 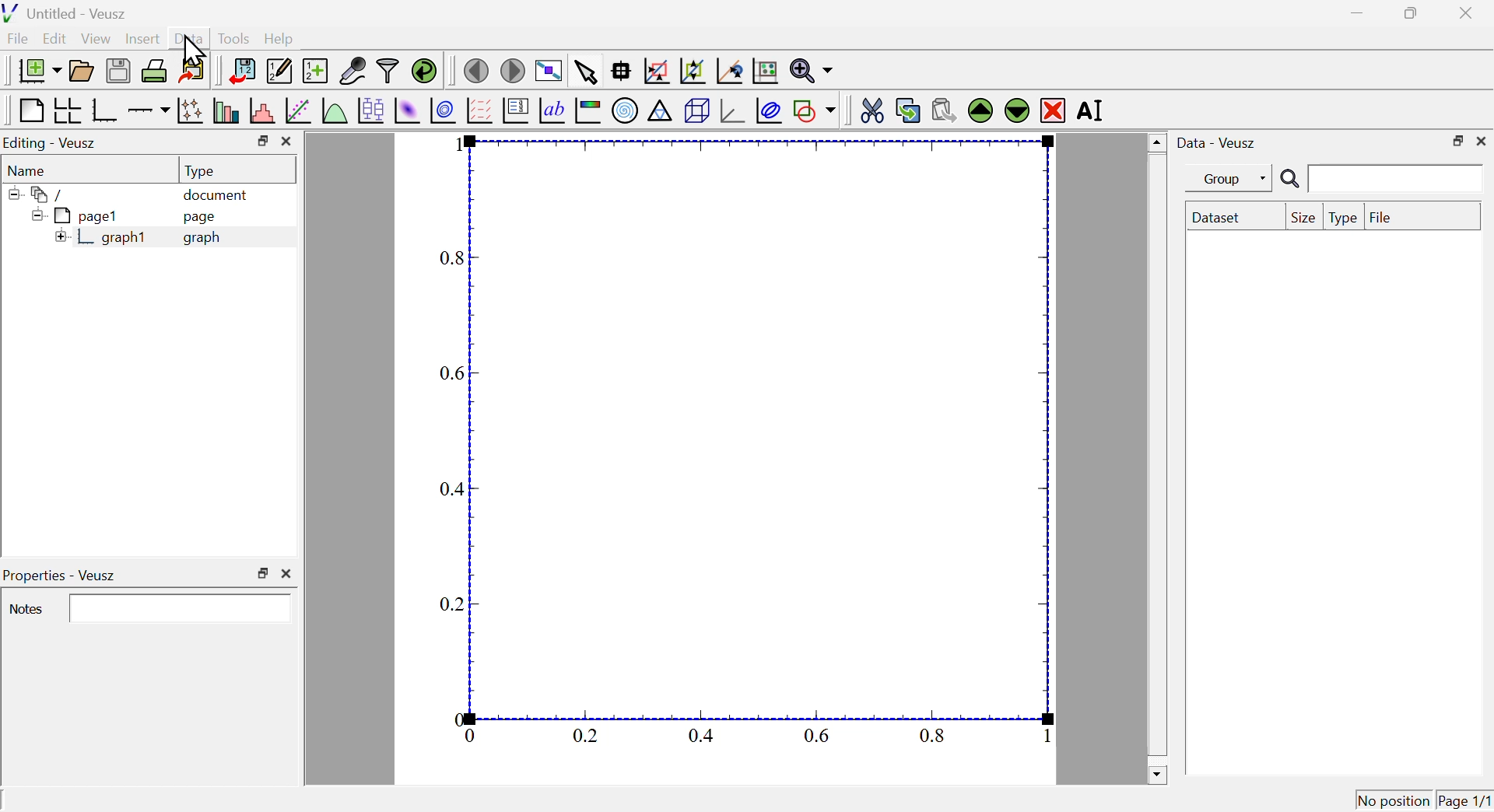 What do you see at coordinates (240, 72) in the screenshot?
I see `import data into veusz` at bounding box center [240, 72].